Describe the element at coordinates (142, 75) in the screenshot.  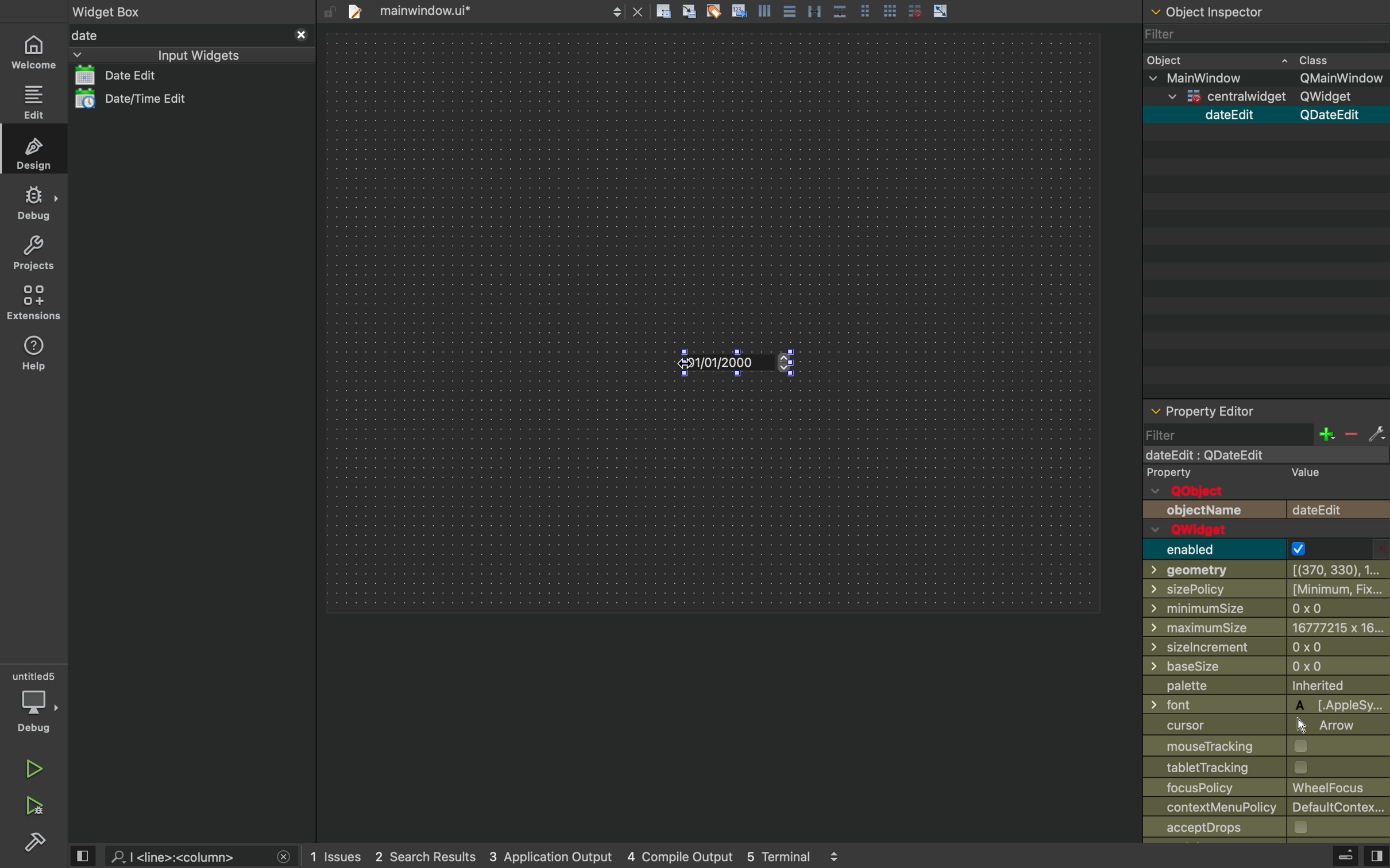
I see `date list` at that location.